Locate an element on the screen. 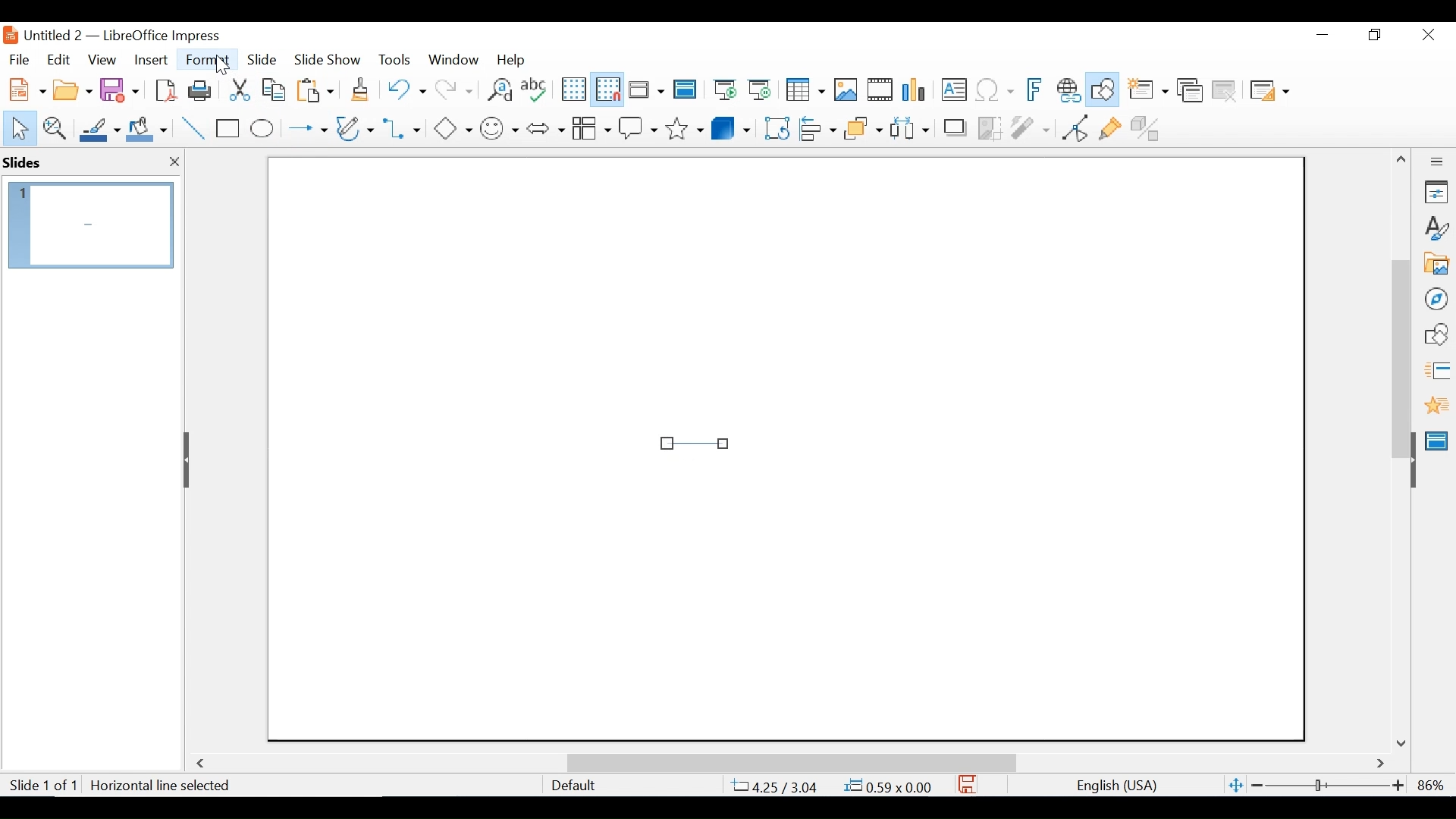 This screenshot has height=819, width=1456. Stars and Banners is located at coordinates (686, 126).